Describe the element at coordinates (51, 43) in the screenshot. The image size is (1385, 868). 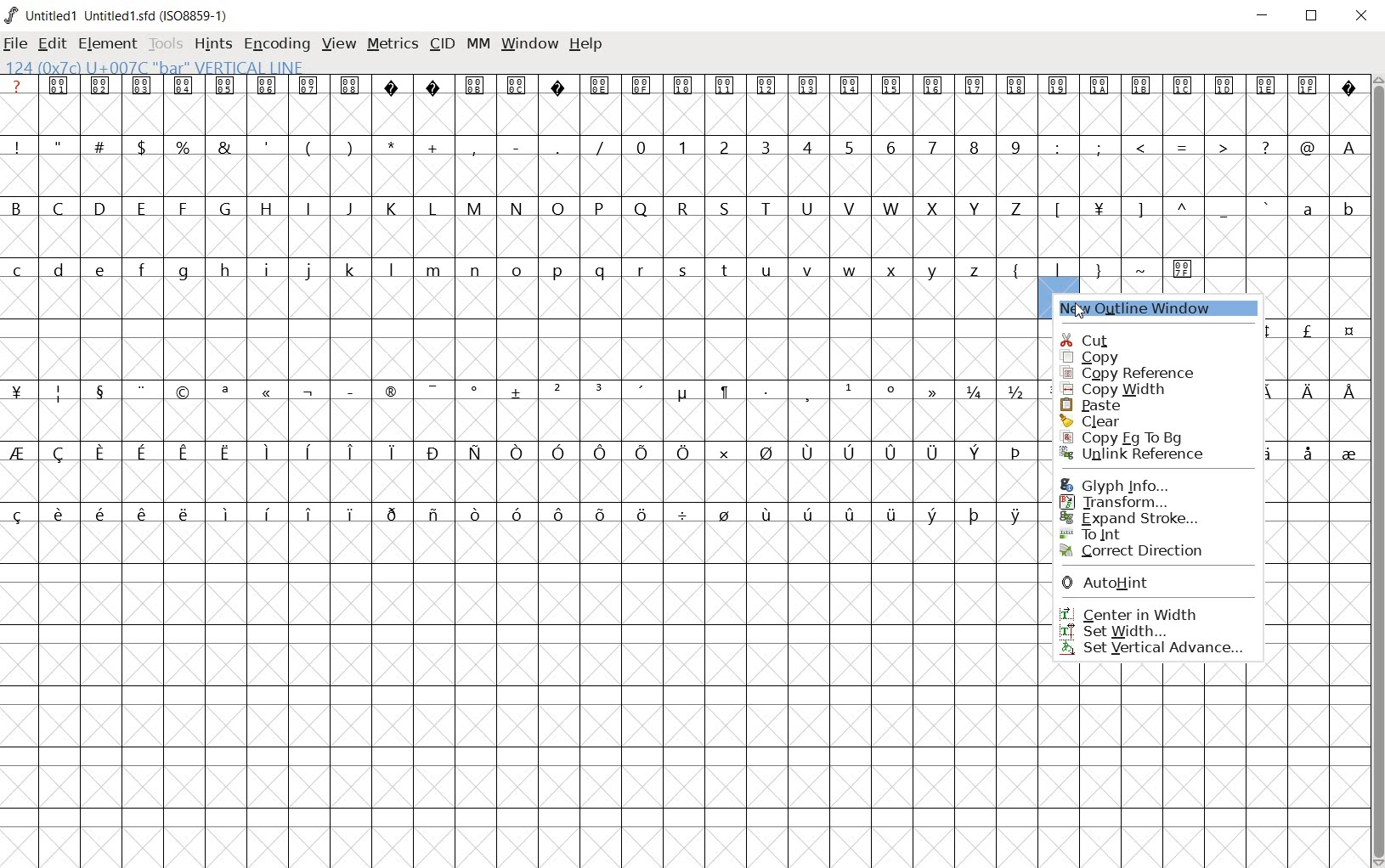
I see `edit` at that location.